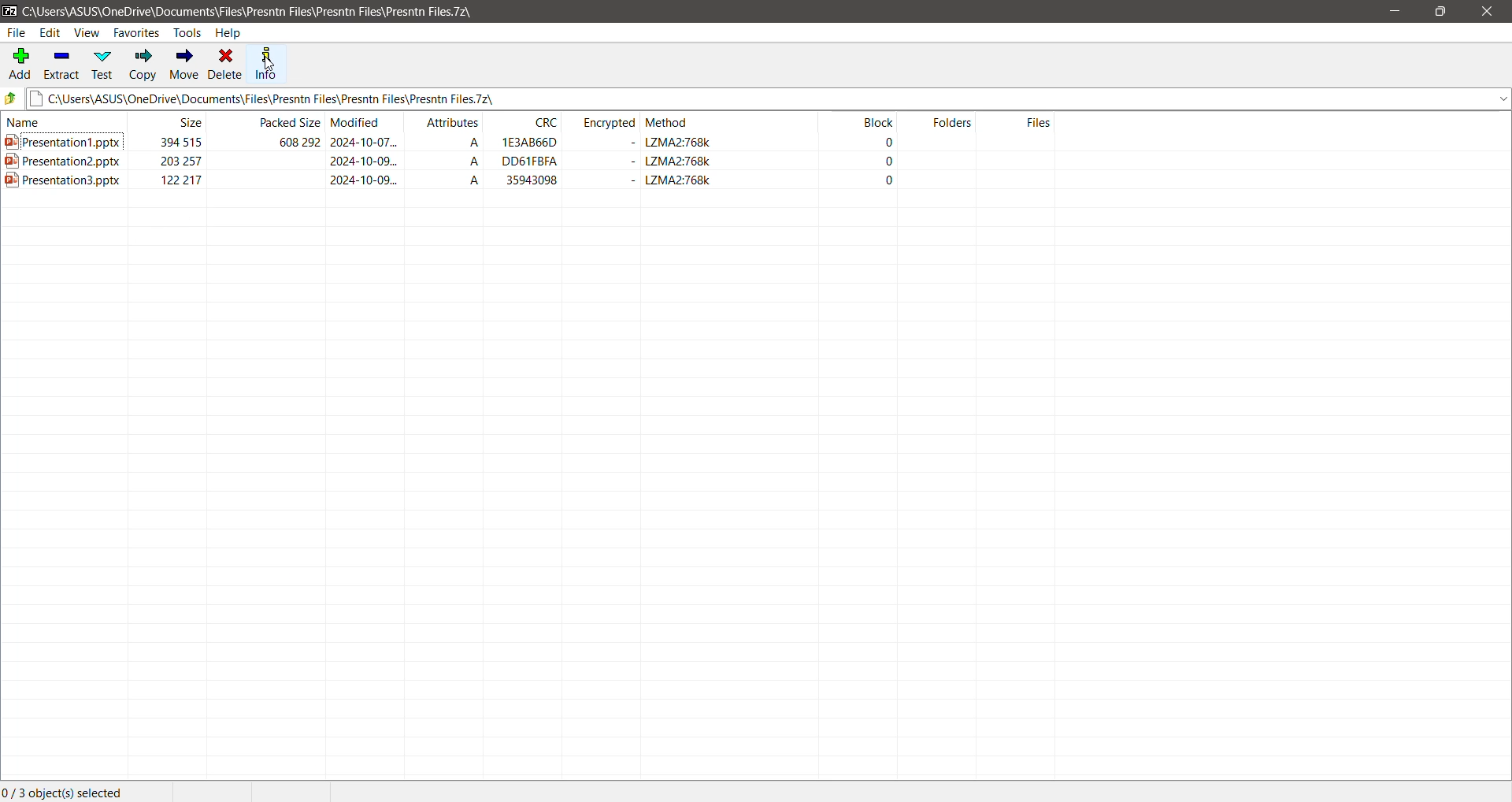  What do you see at coordinates (1395, 10) in the screenshot?
I see `Minimize` at bounding box center [1395, 10].